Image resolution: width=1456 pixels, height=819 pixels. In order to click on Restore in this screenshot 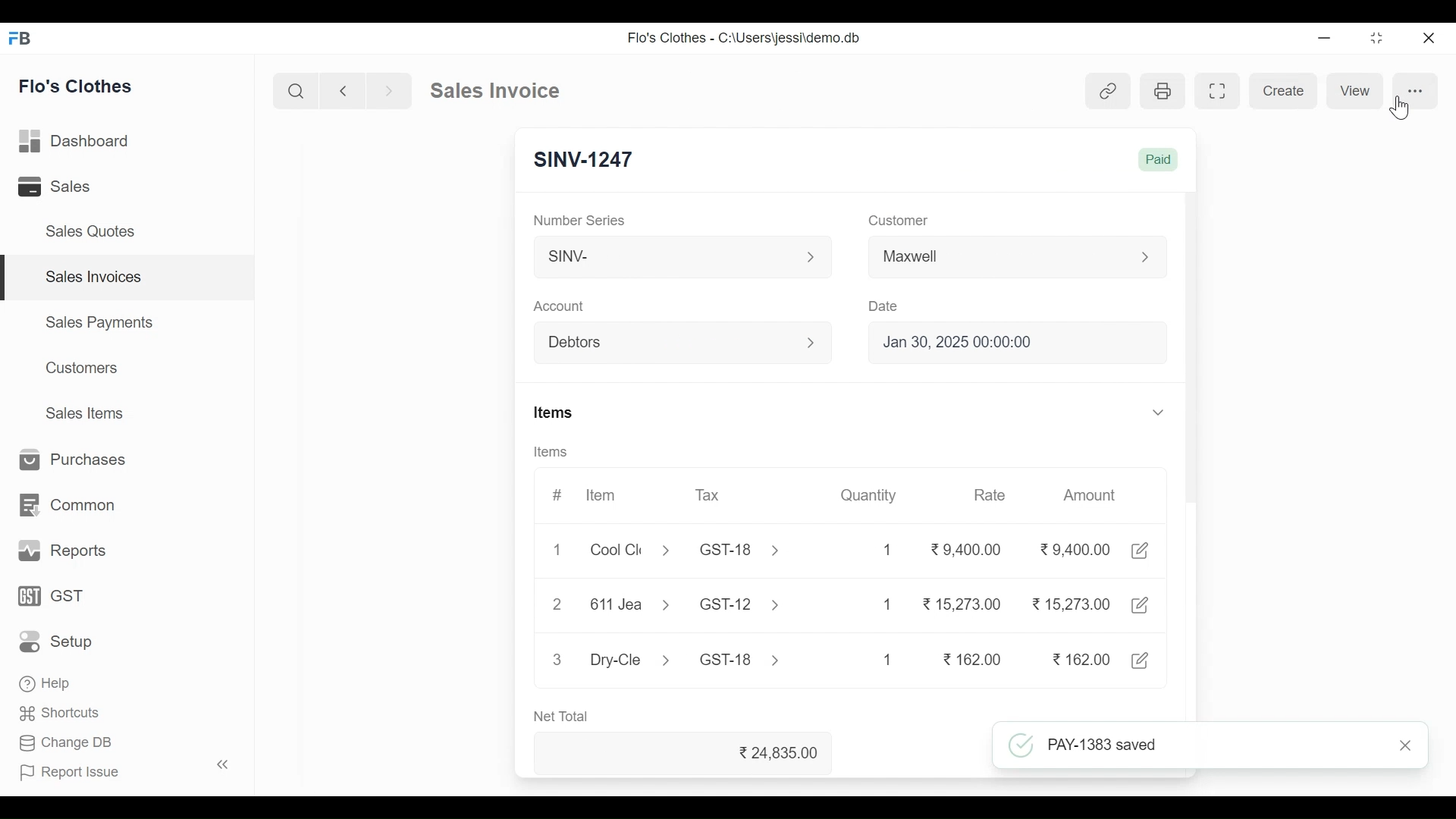, I will do `click(1377, 39)`.